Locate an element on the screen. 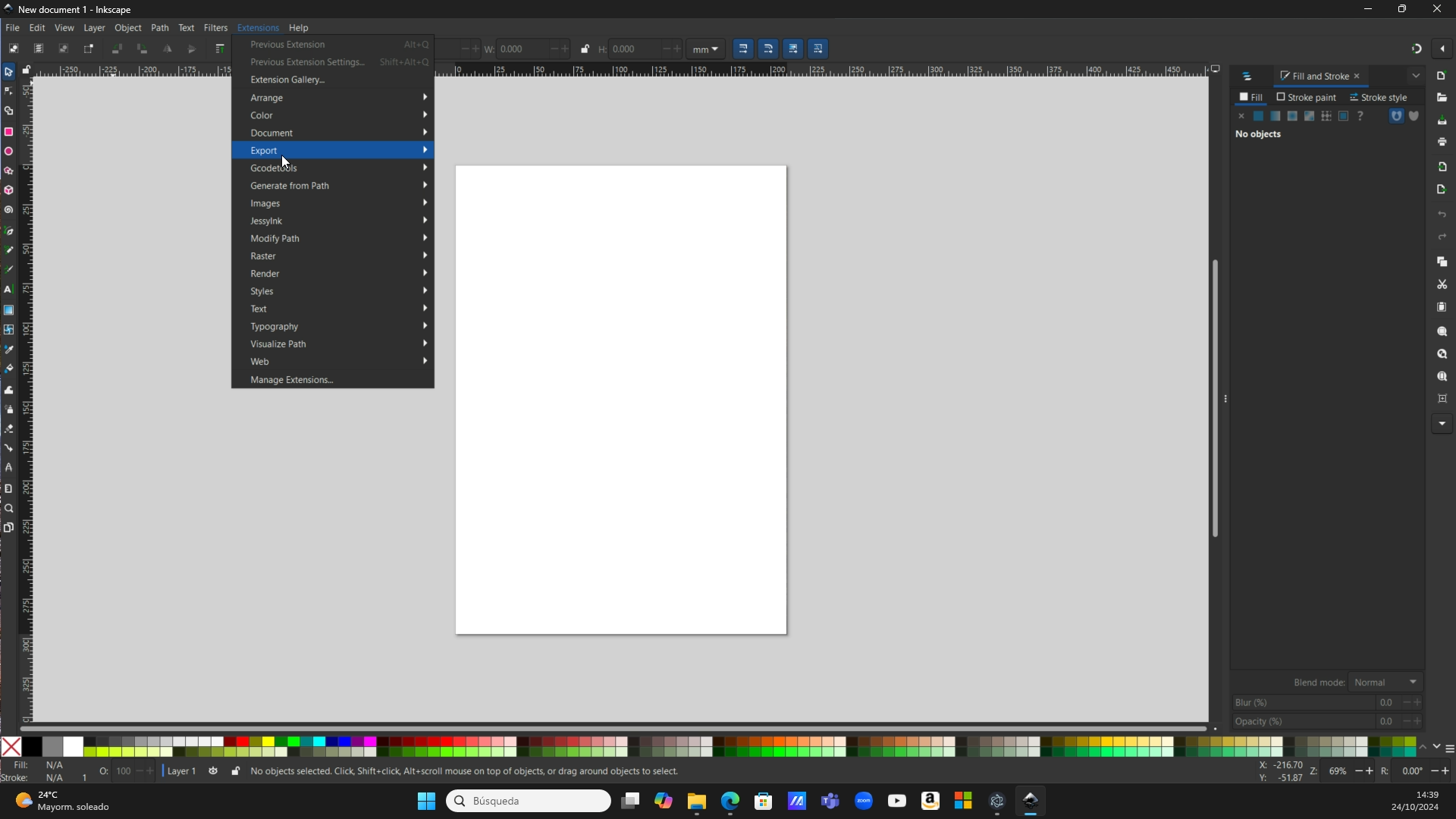 Image resolution: width=1456 pixels, height=819 pixels. Minimize is located at coordinates (1370, 11).